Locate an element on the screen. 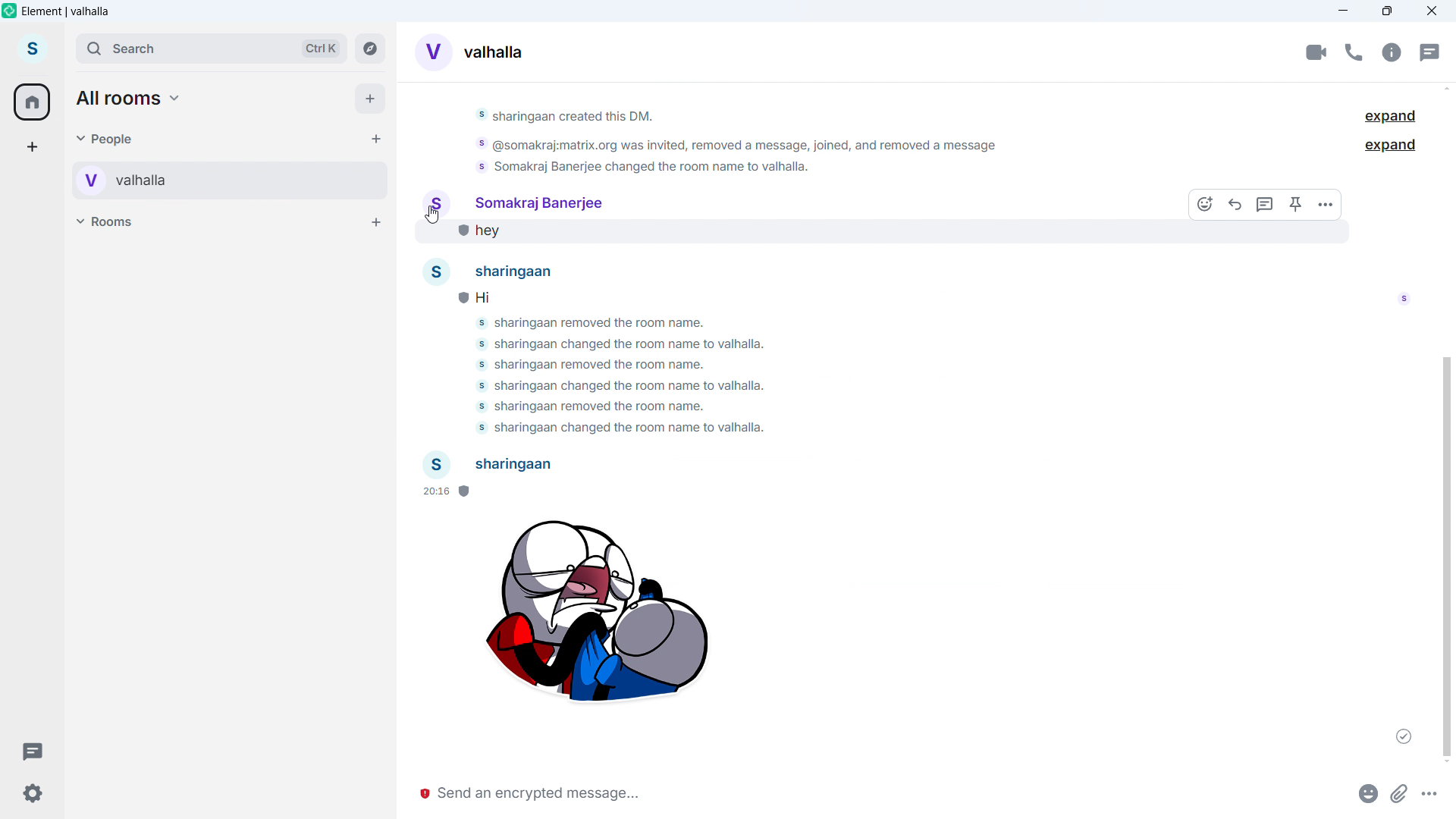 This screenshot has height=819, width=1456. Room alias is located at coordinates (494, 52).